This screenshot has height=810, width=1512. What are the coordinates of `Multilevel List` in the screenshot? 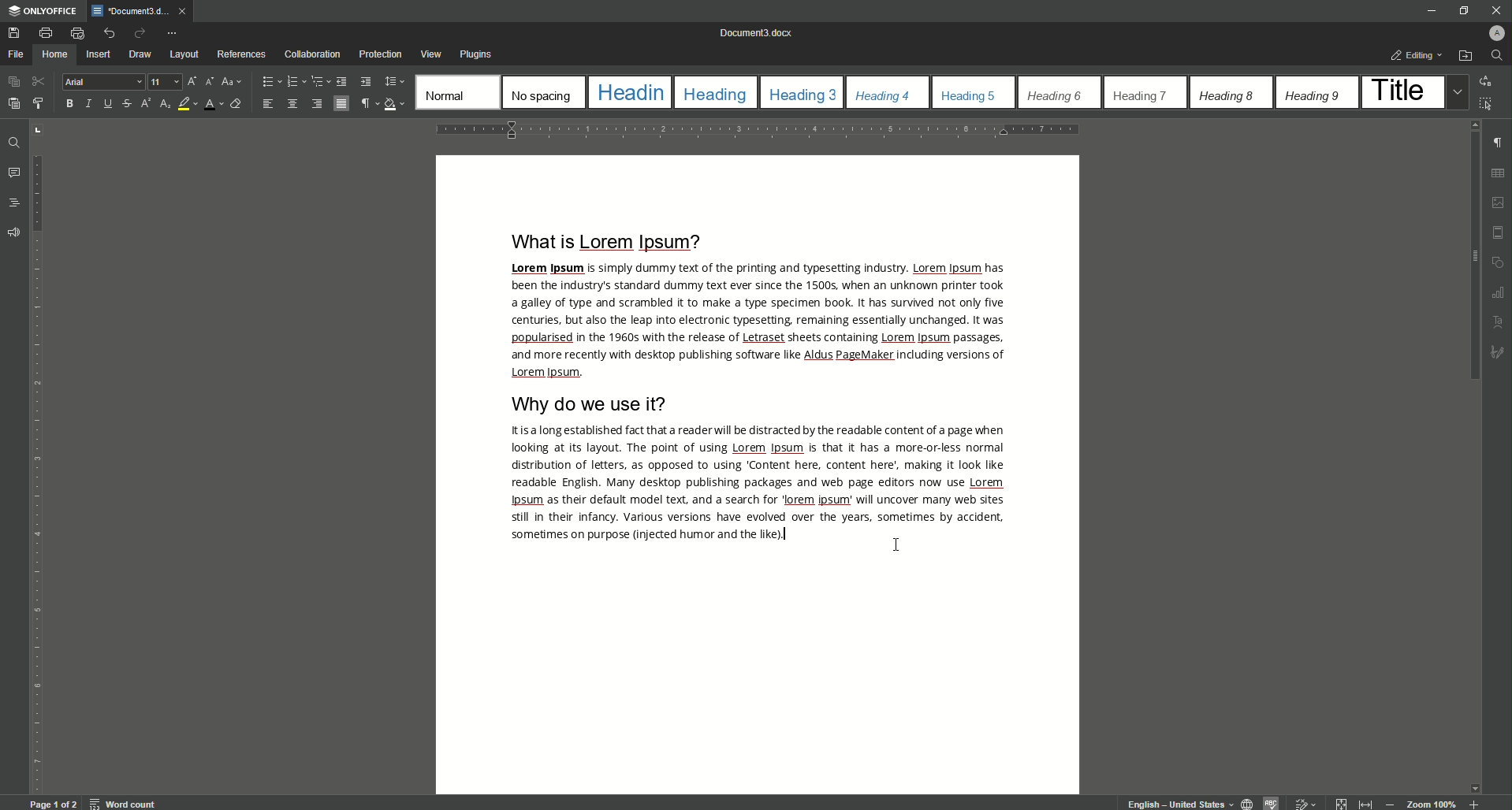 It's located at (317, 81).